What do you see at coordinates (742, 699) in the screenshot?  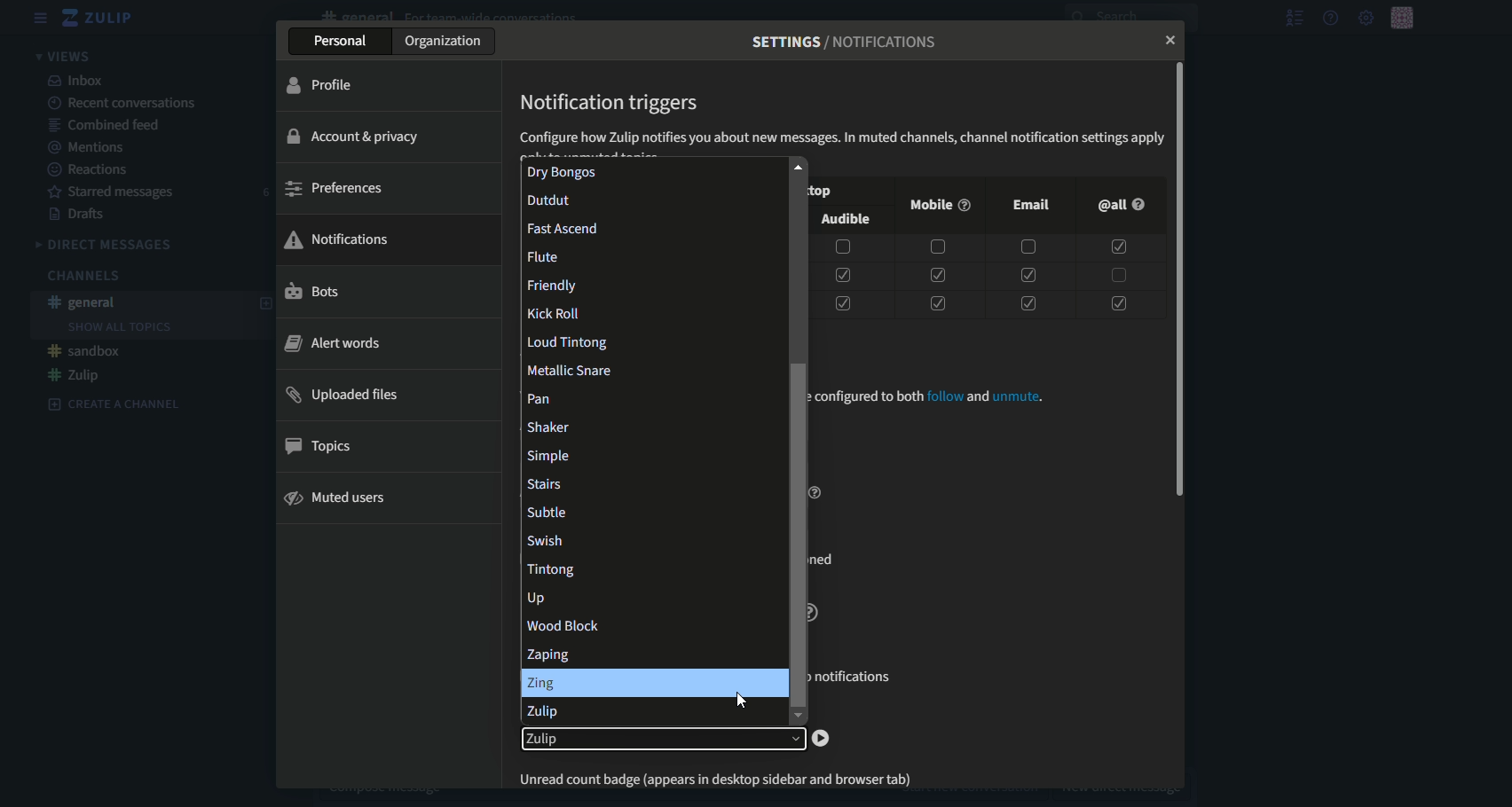 I see `Cursor` at bounding box center [742, 699].